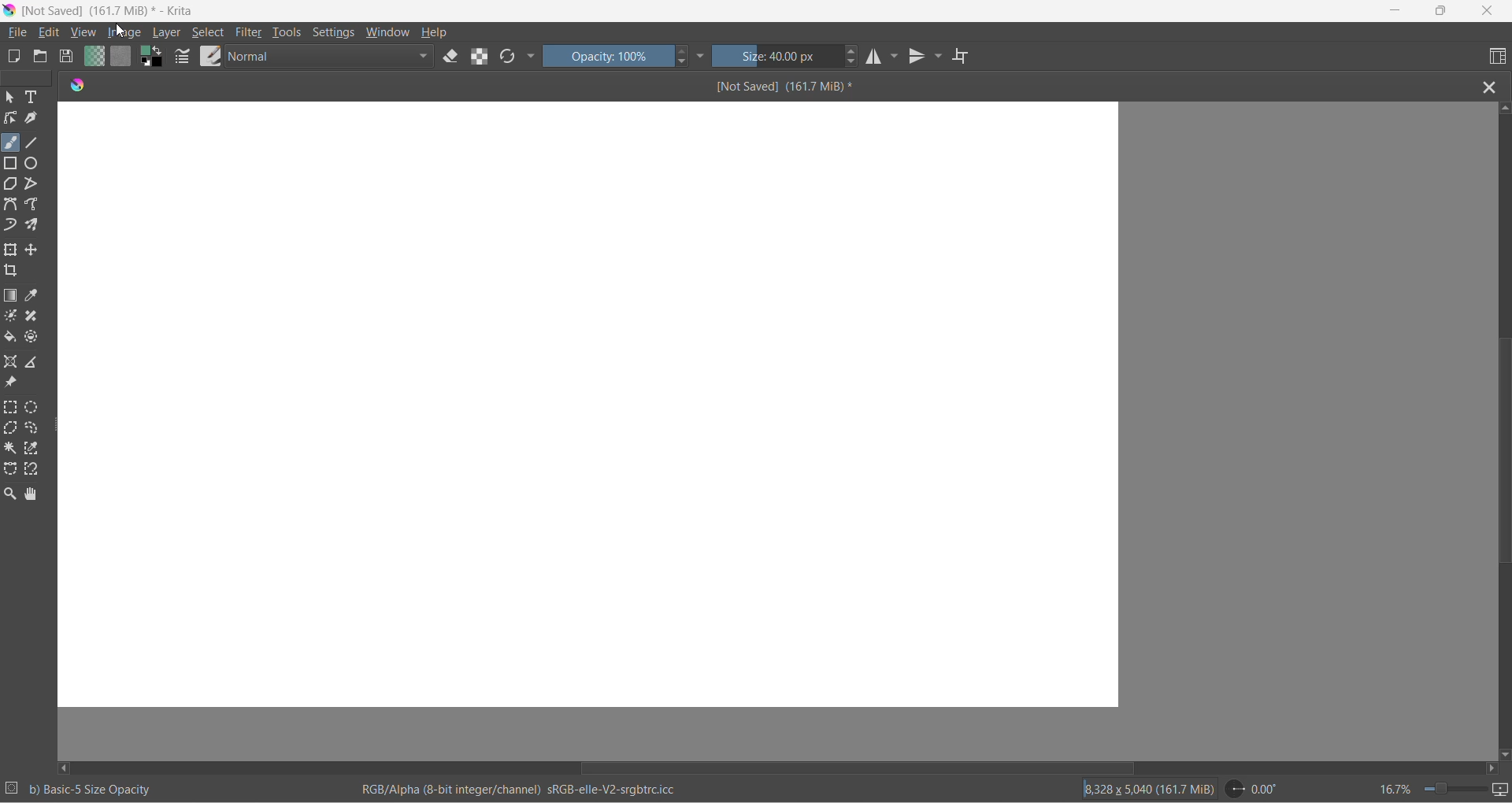 The width and height of the screenshot is (1512, 803). What do you see at coordinates (119, 31) in the screenshot?
I see `Cursor` at bounding box center [119, 31].